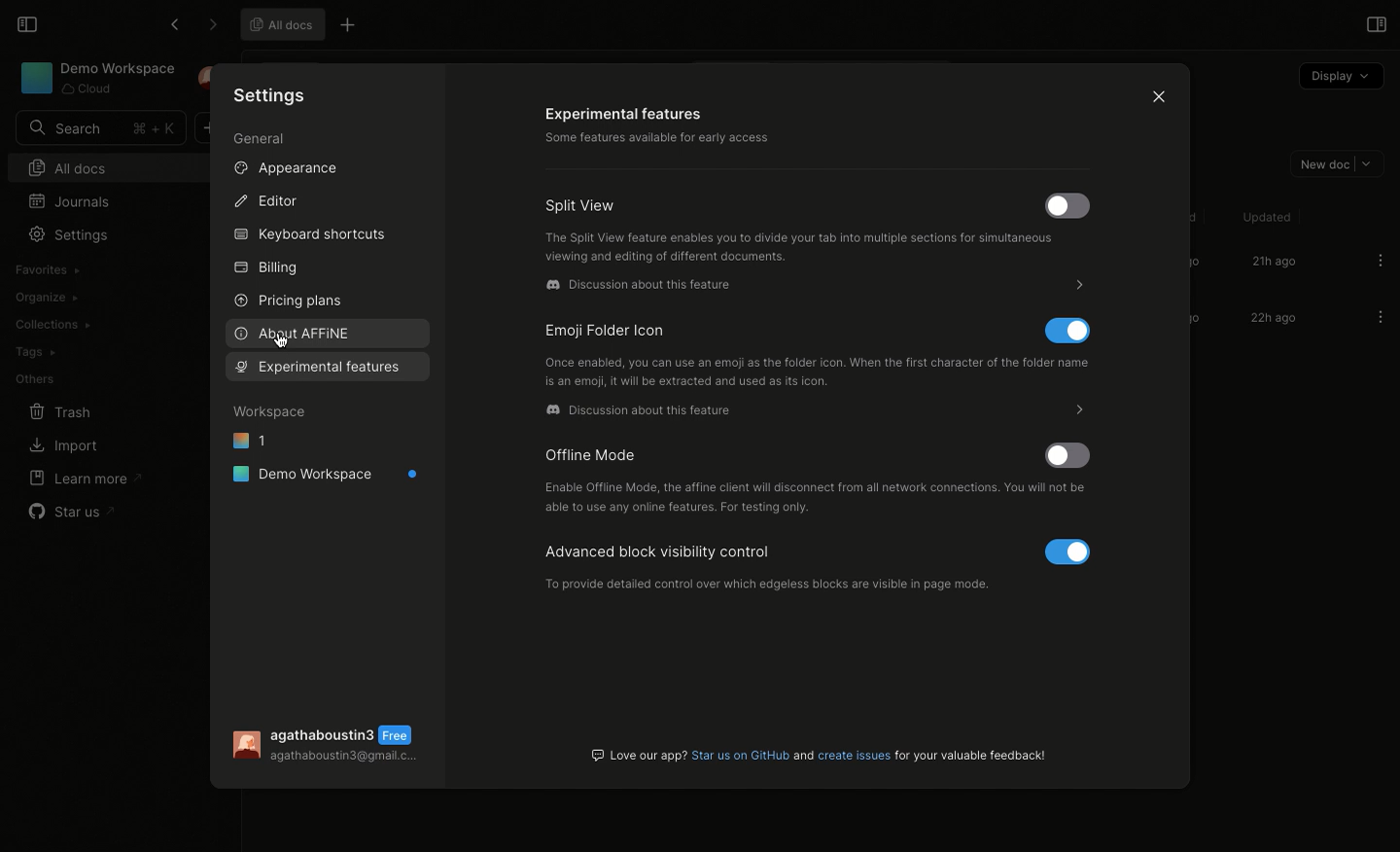 This screenshot has height=852, width=1400. What do you see at coordinates (1273, 263) in the screenshot?
I see `21h ago` at bounding box center [1273, 263].